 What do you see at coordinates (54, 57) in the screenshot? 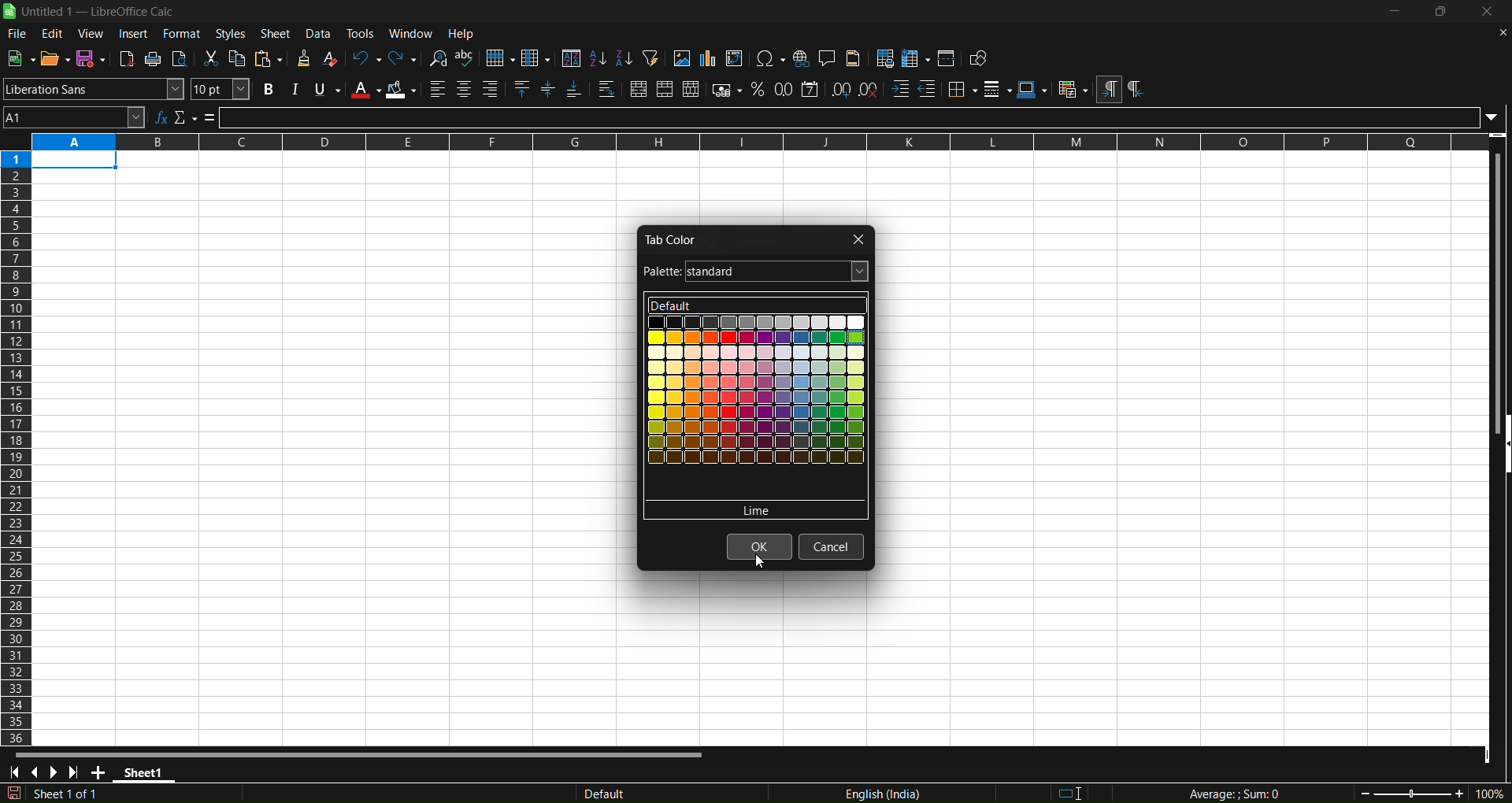
I see `open` at bounding box center [54, 57].